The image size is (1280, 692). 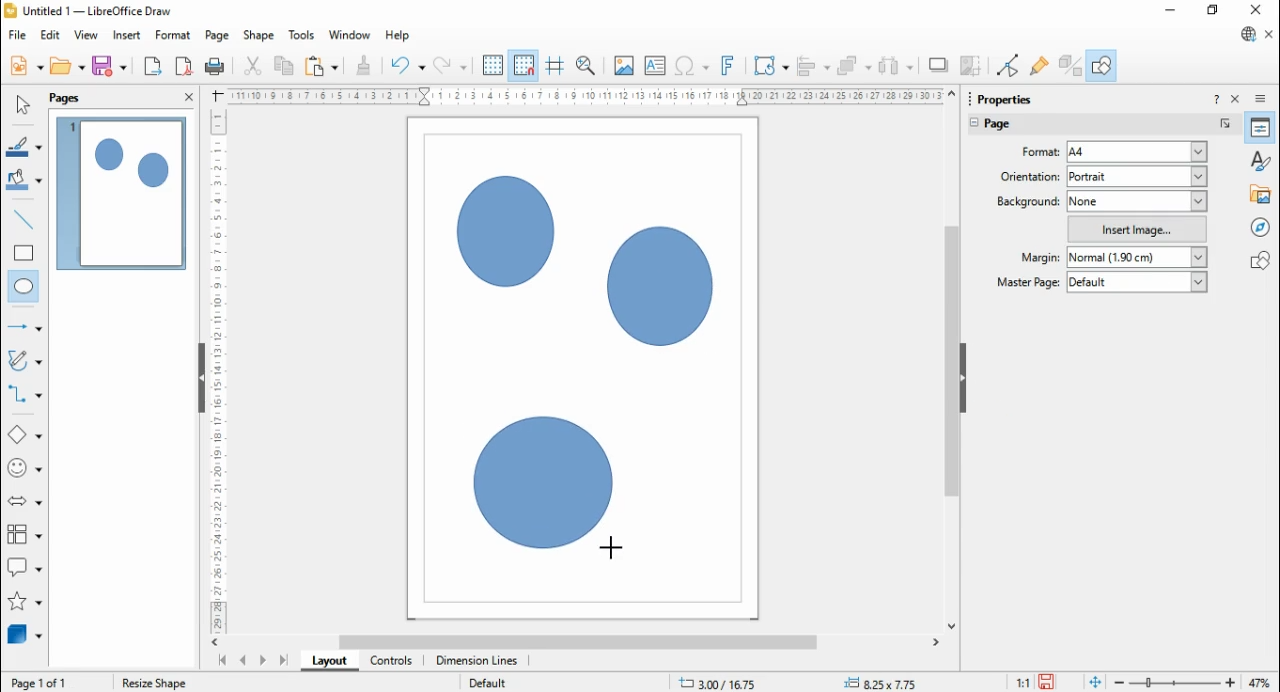 What do you see at coordinates (79, 98) in the screenshot?
I see `pages panel` at bounding box center [79, 98].